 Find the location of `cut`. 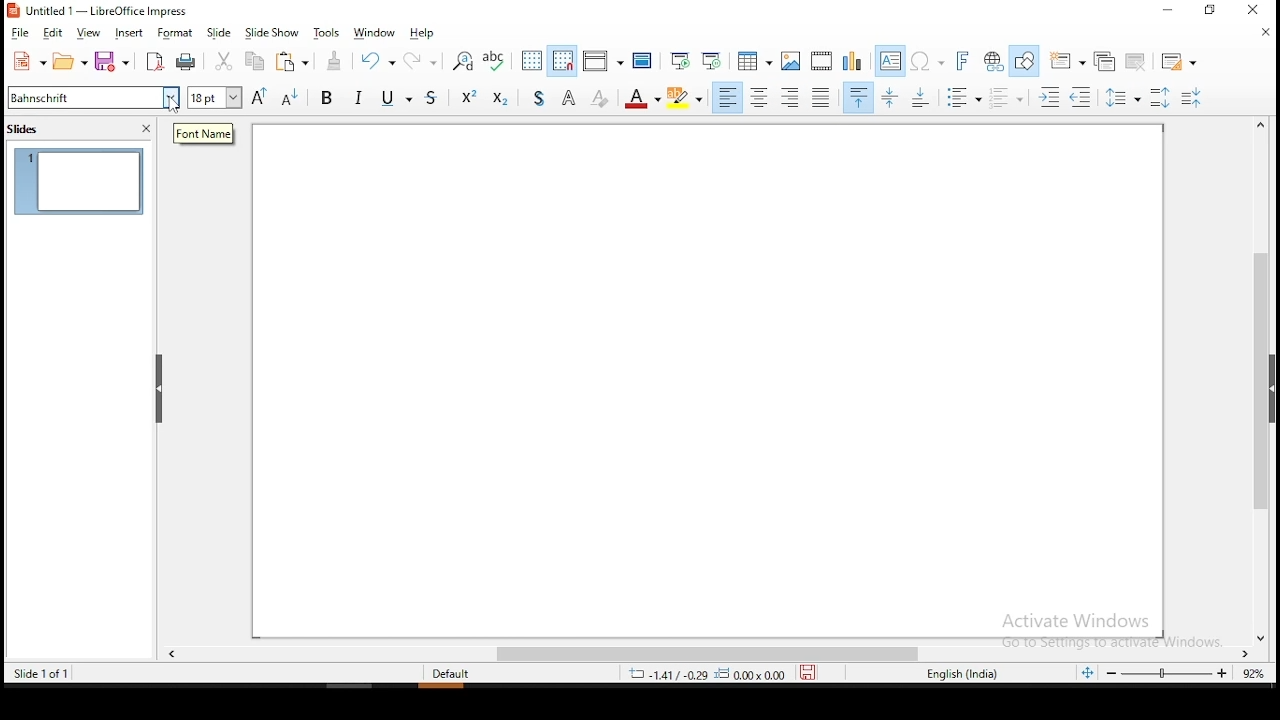

cut is located at coordinates (222, 61).